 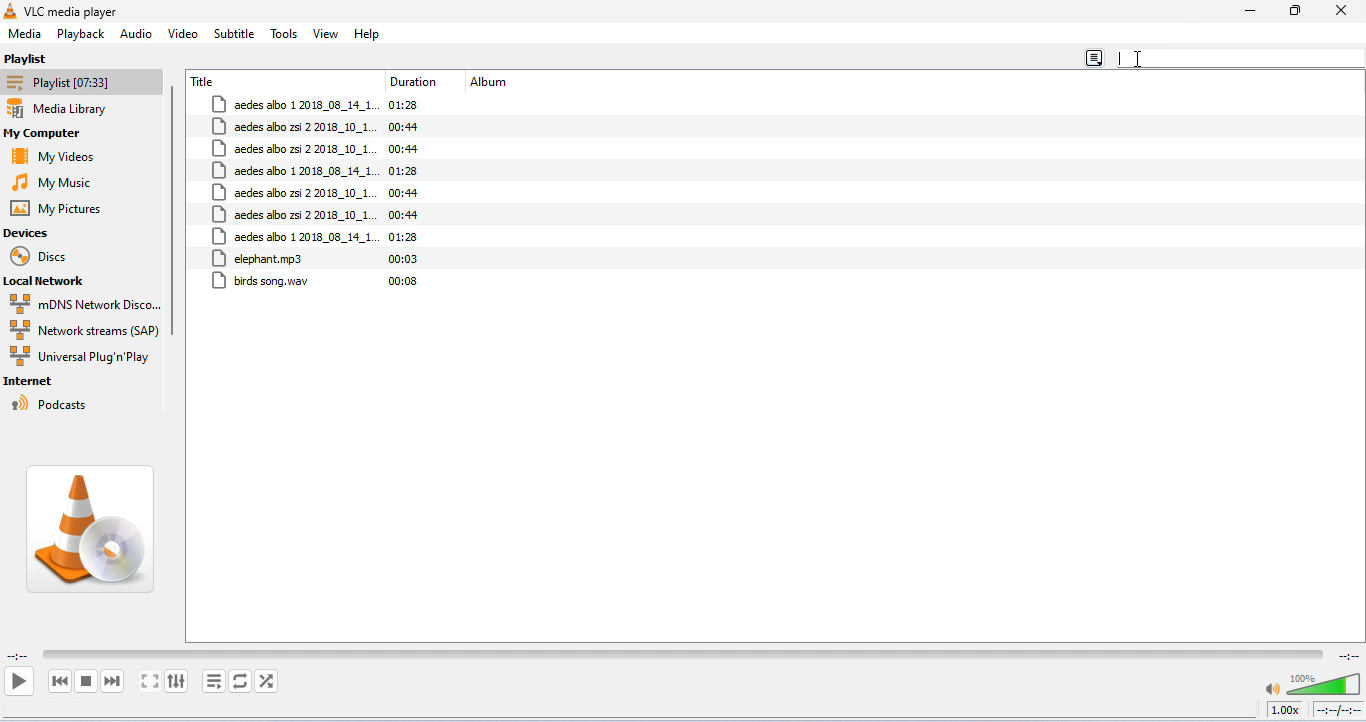 What do you see at coordinates (178, 682) in the screenshot?
I see `show extended settings` at bounding box center [178, 682].